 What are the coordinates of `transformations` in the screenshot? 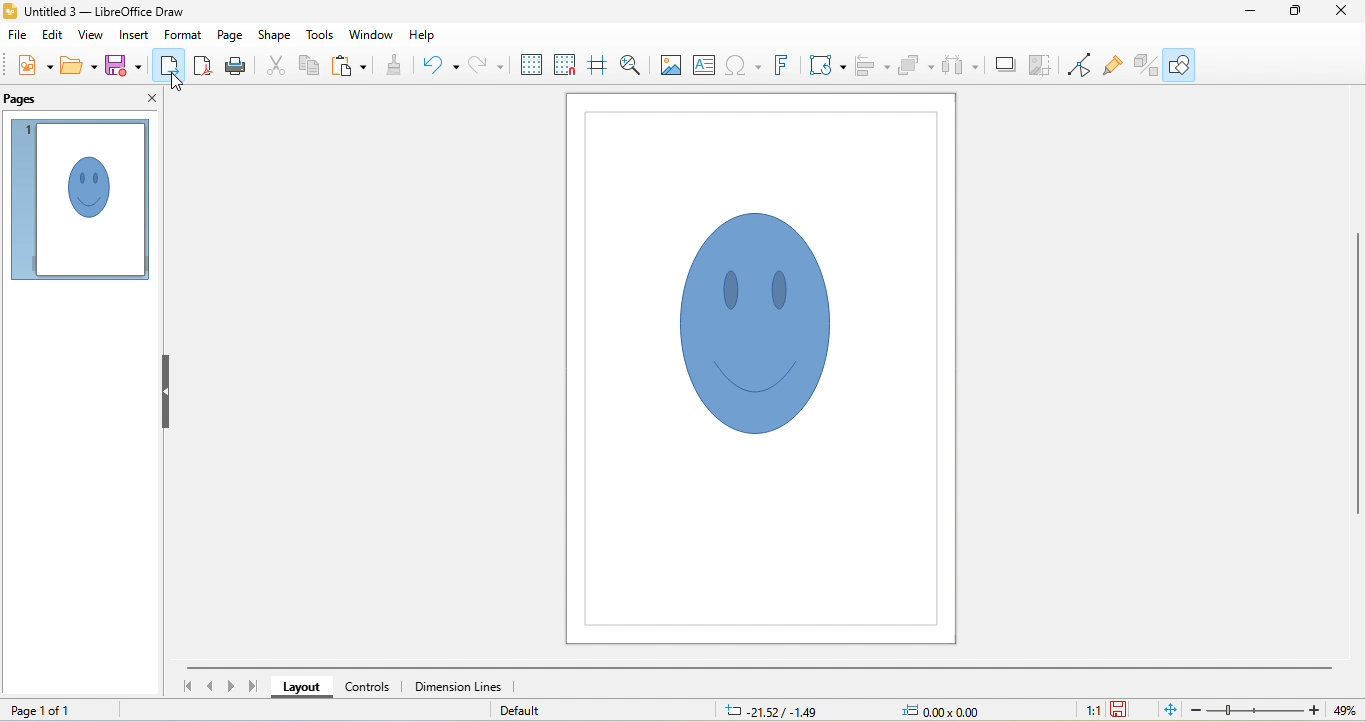 It's located at (827, 67).